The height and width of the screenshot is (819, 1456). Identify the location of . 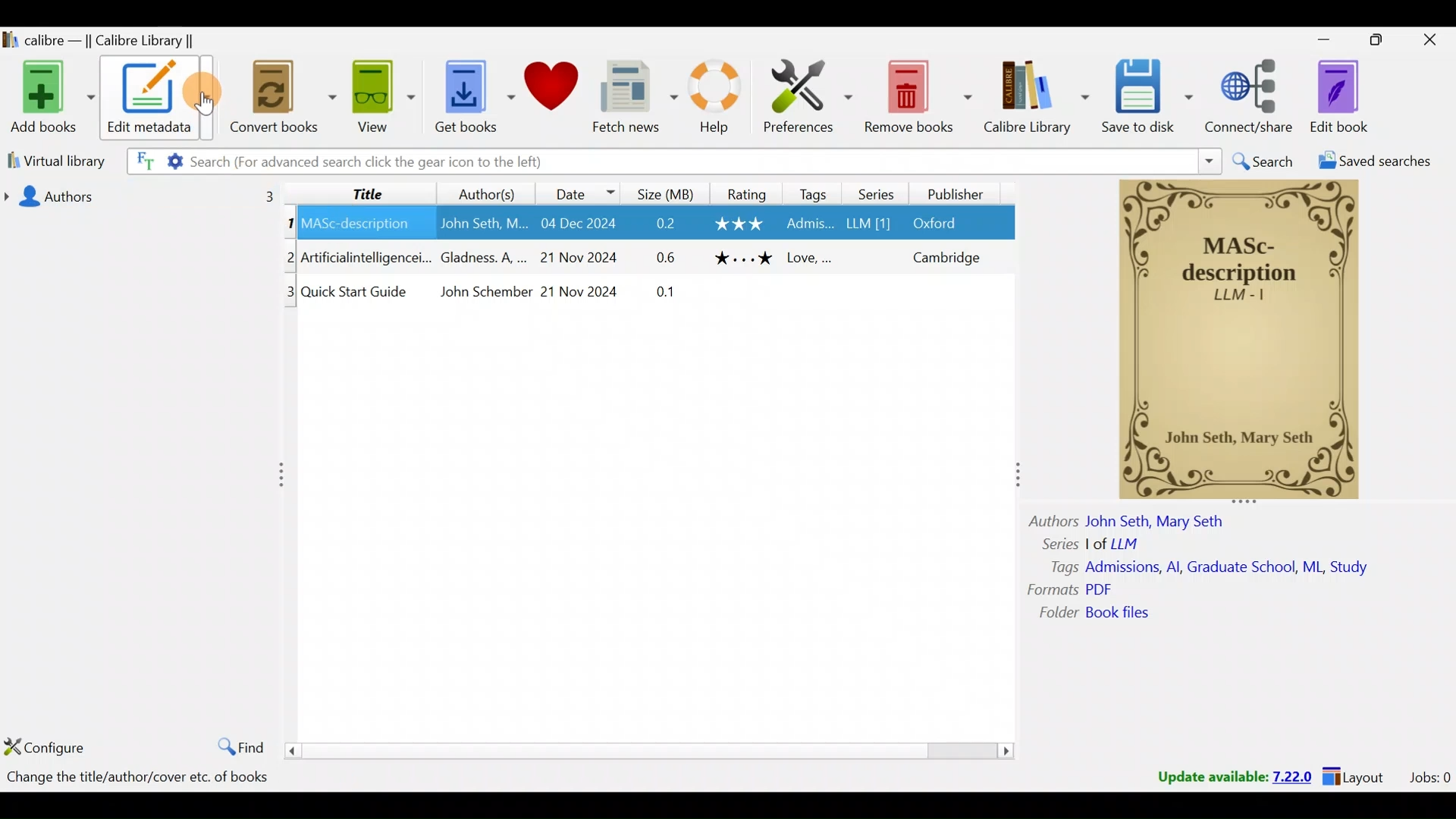
(582, 255).